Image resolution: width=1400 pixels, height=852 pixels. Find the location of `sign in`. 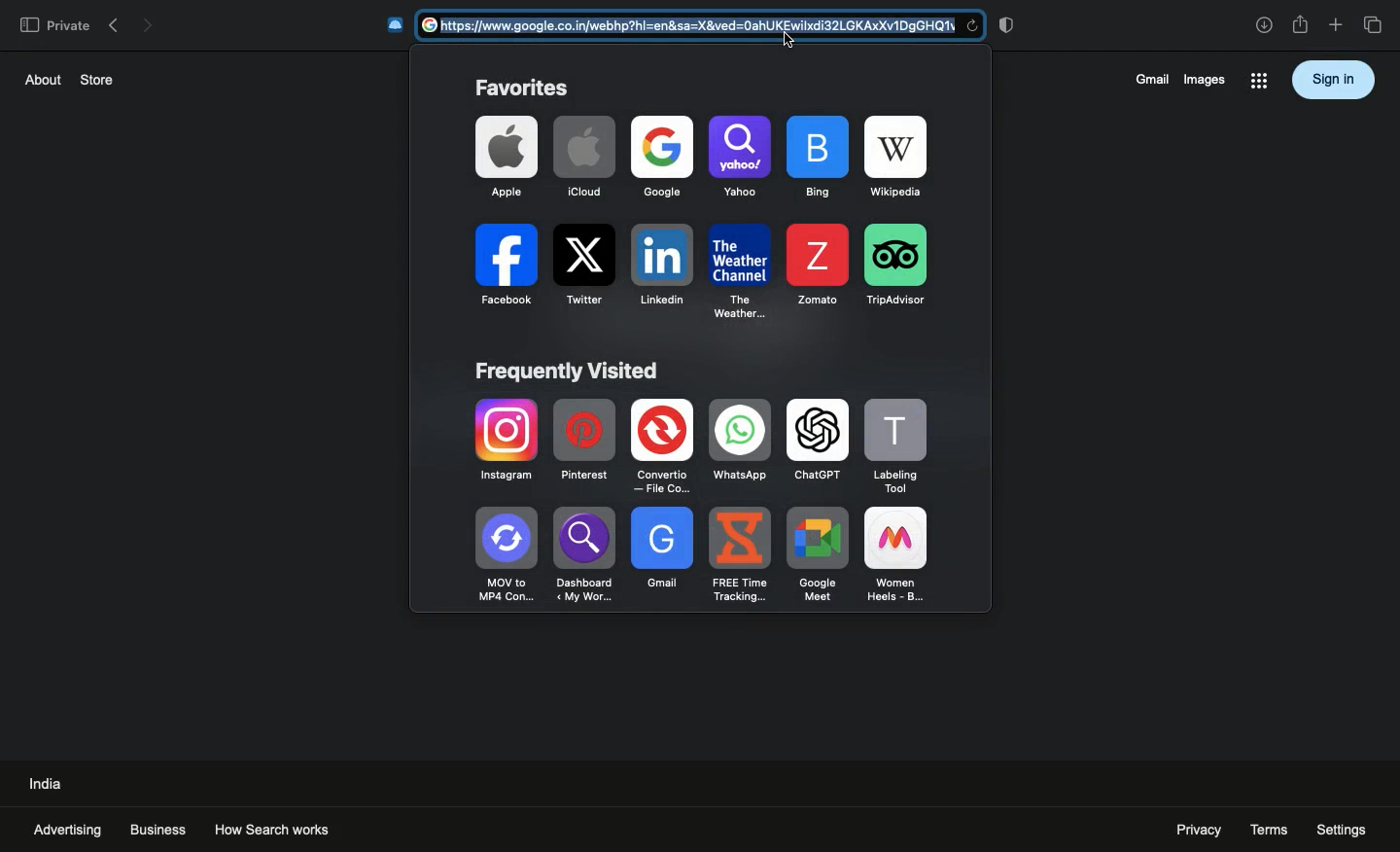

sign in is located at coordinates (1334, 79).